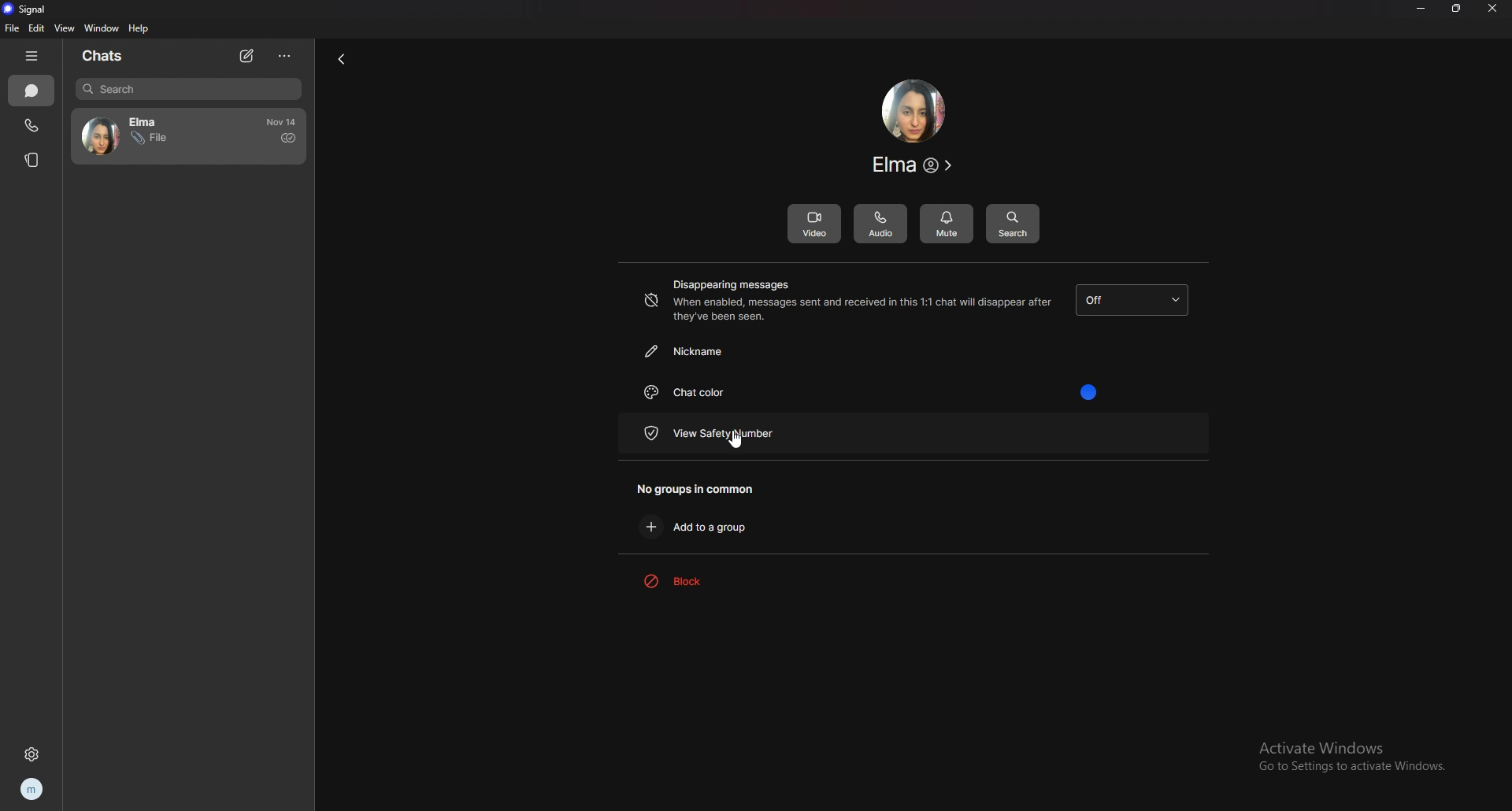  I want to click on date, so click(283, 122).